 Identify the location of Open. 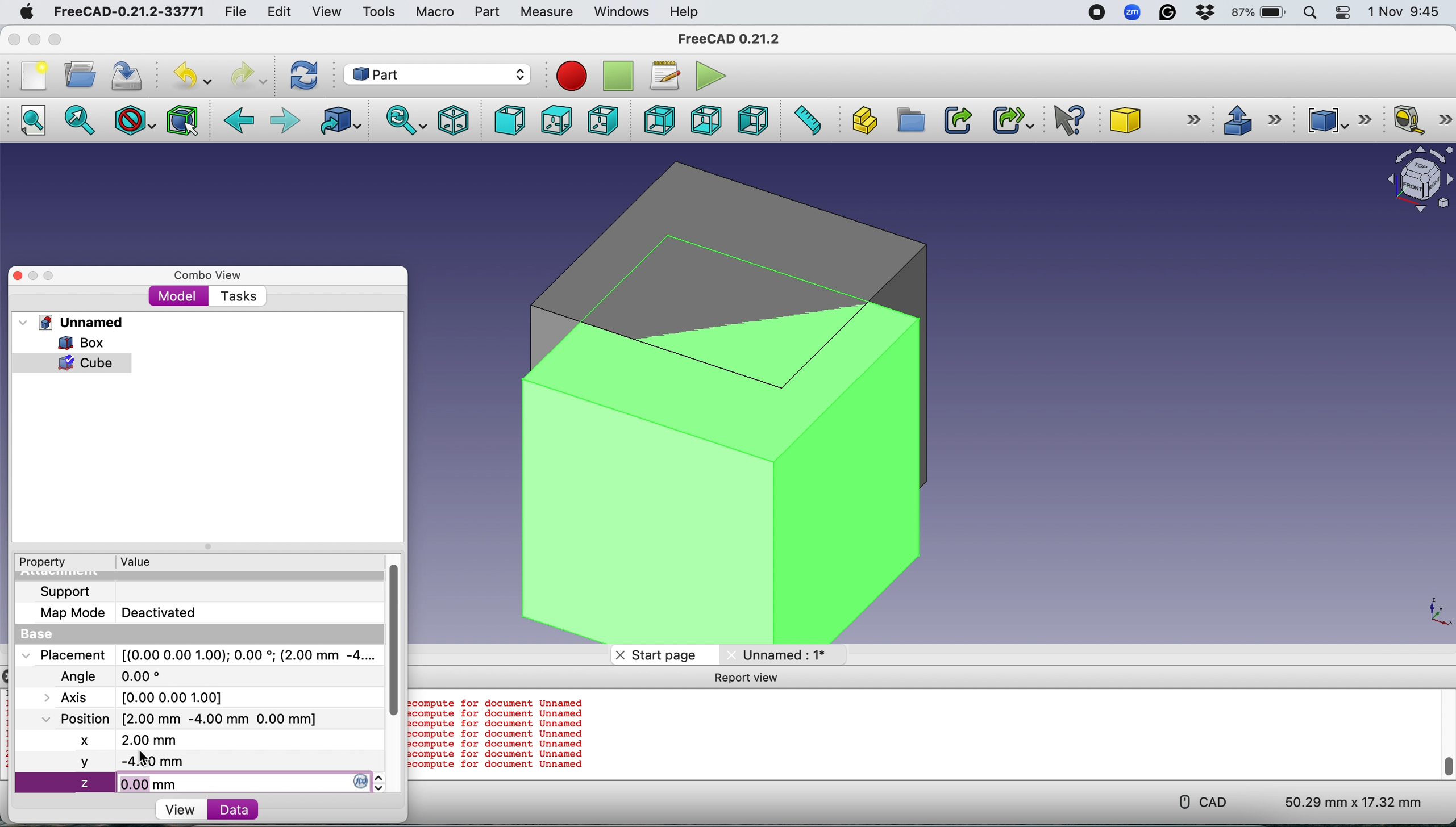
(80, 74).